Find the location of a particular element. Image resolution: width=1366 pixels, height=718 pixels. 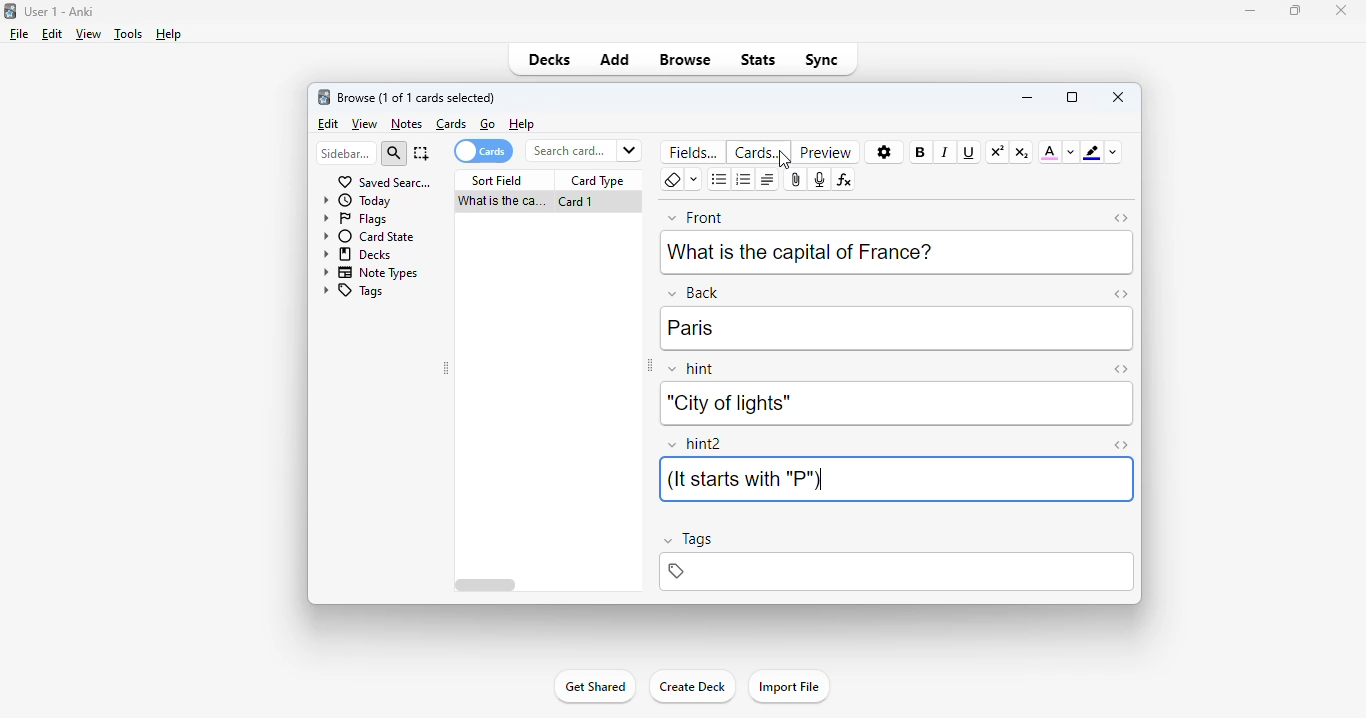

paris is located at coordinates (691, 328).